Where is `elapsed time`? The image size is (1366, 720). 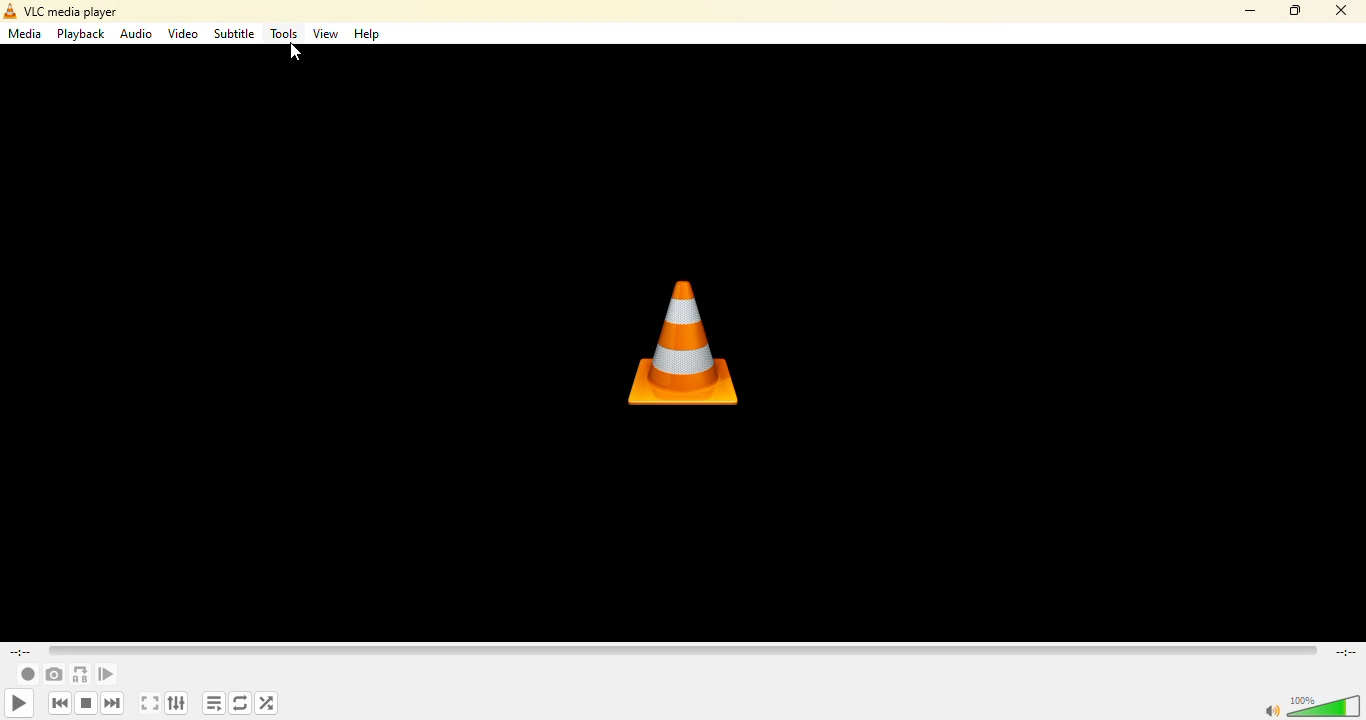
elapsed time is located at coordinates (24, 651).